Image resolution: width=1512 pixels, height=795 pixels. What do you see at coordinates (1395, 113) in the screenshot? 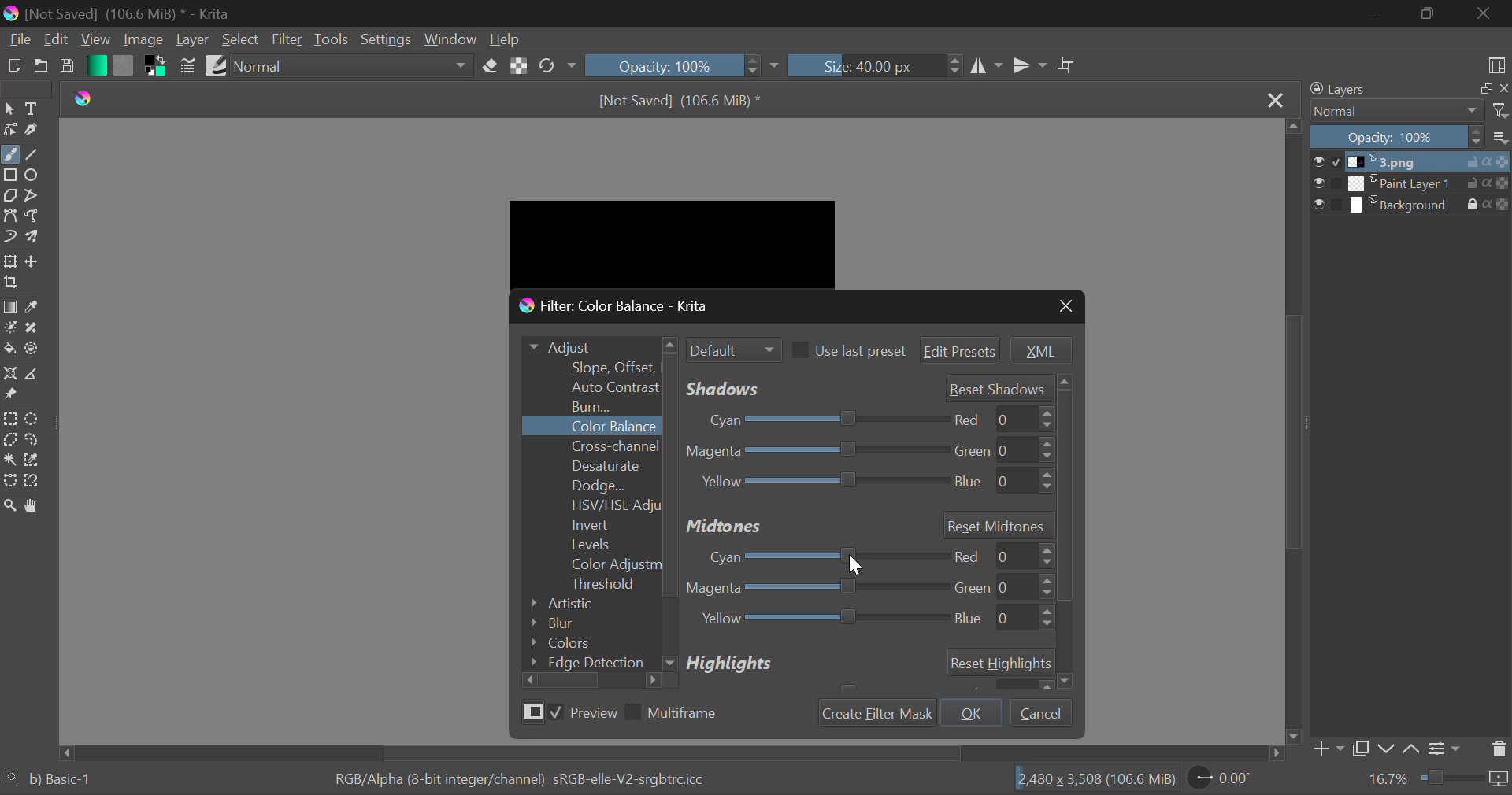
I see `Normal` at bounding box center [1395, 113].